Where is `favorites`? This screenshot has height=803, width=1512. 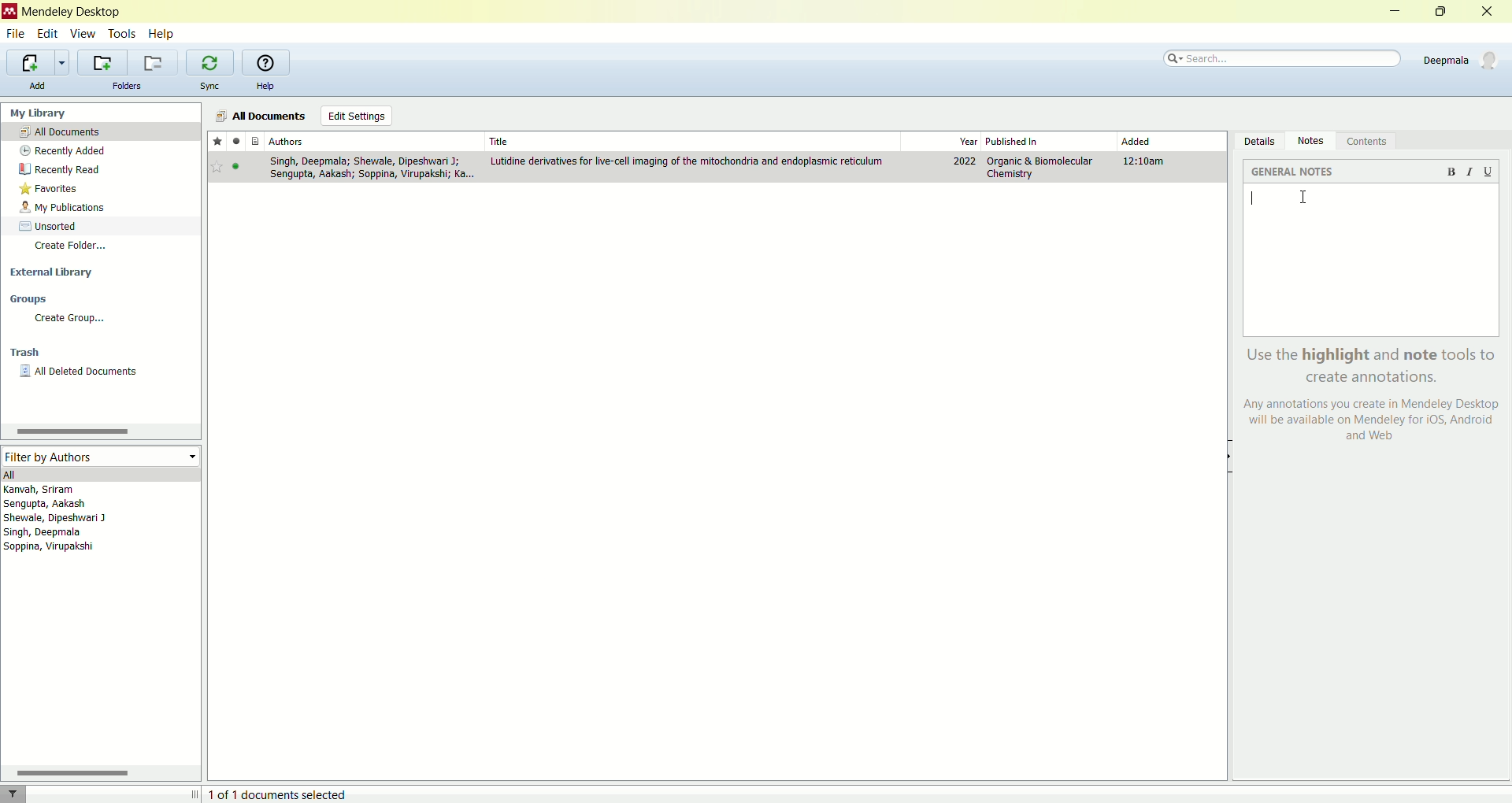
favorites is located at coordinates (97, 187).